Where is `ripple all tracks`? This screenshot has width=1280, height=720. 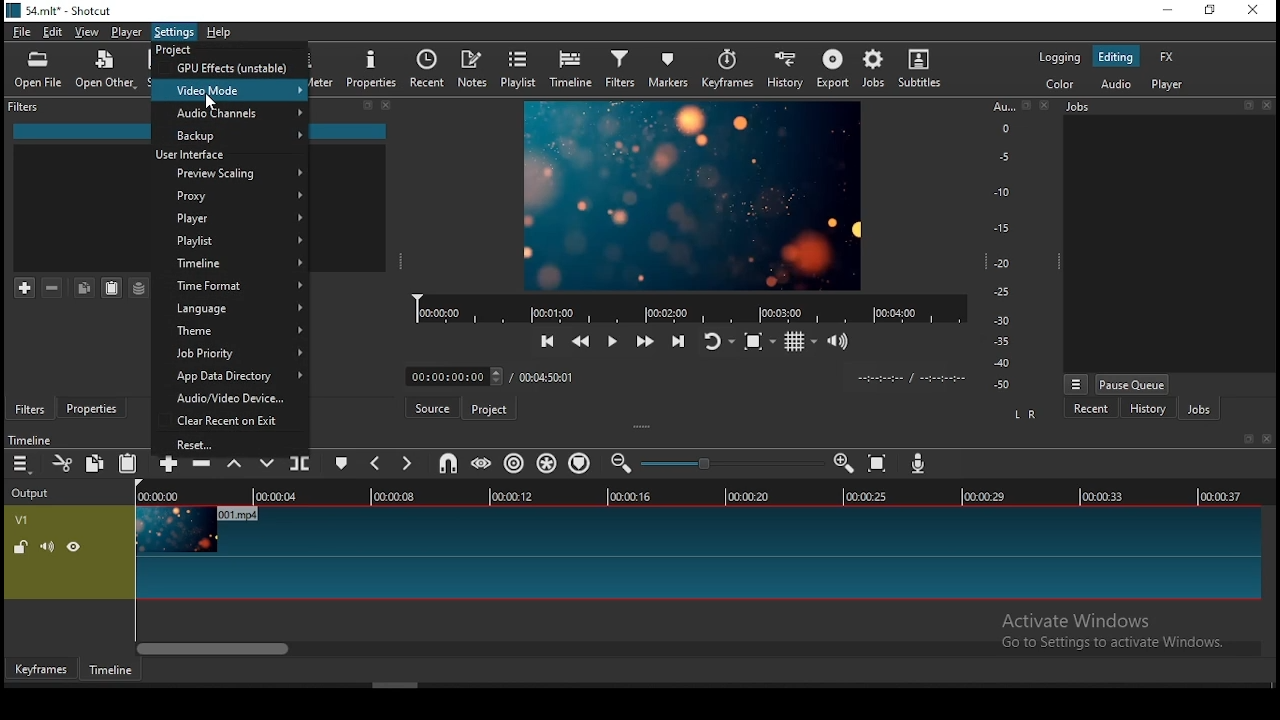
ripple all tracks is located at coordinates (546, 462).